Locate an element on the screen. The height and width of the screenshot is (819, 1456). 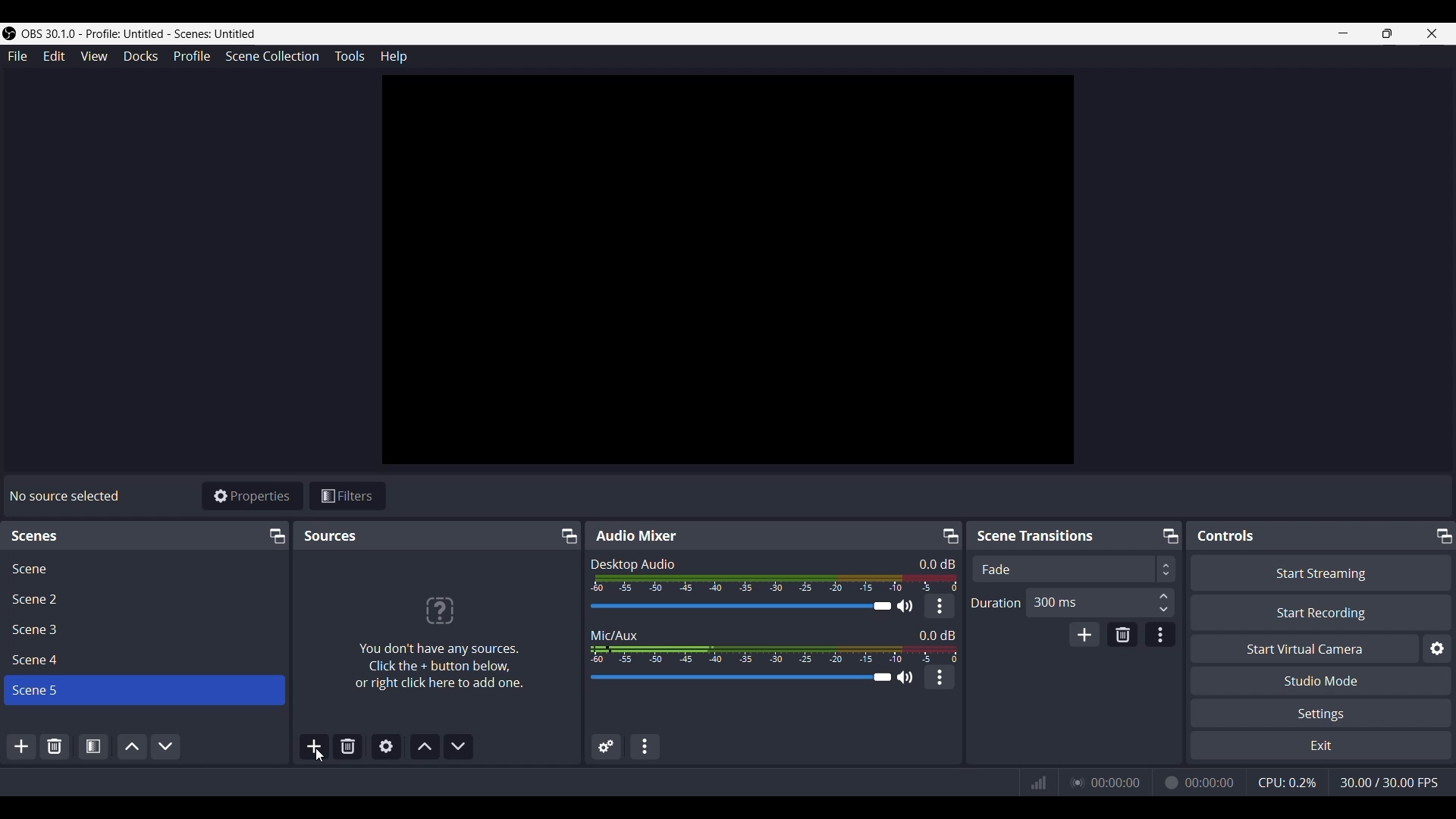
More is located at coordinates (940, 605).